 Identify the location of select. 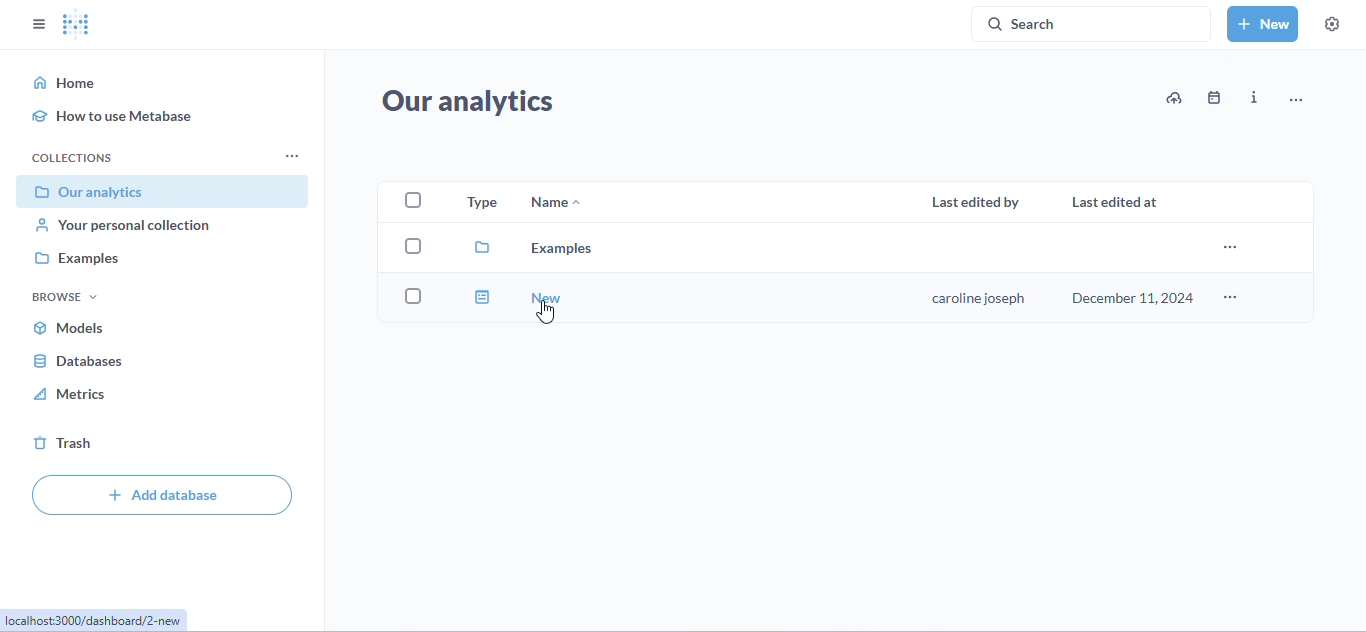
(413, 296).